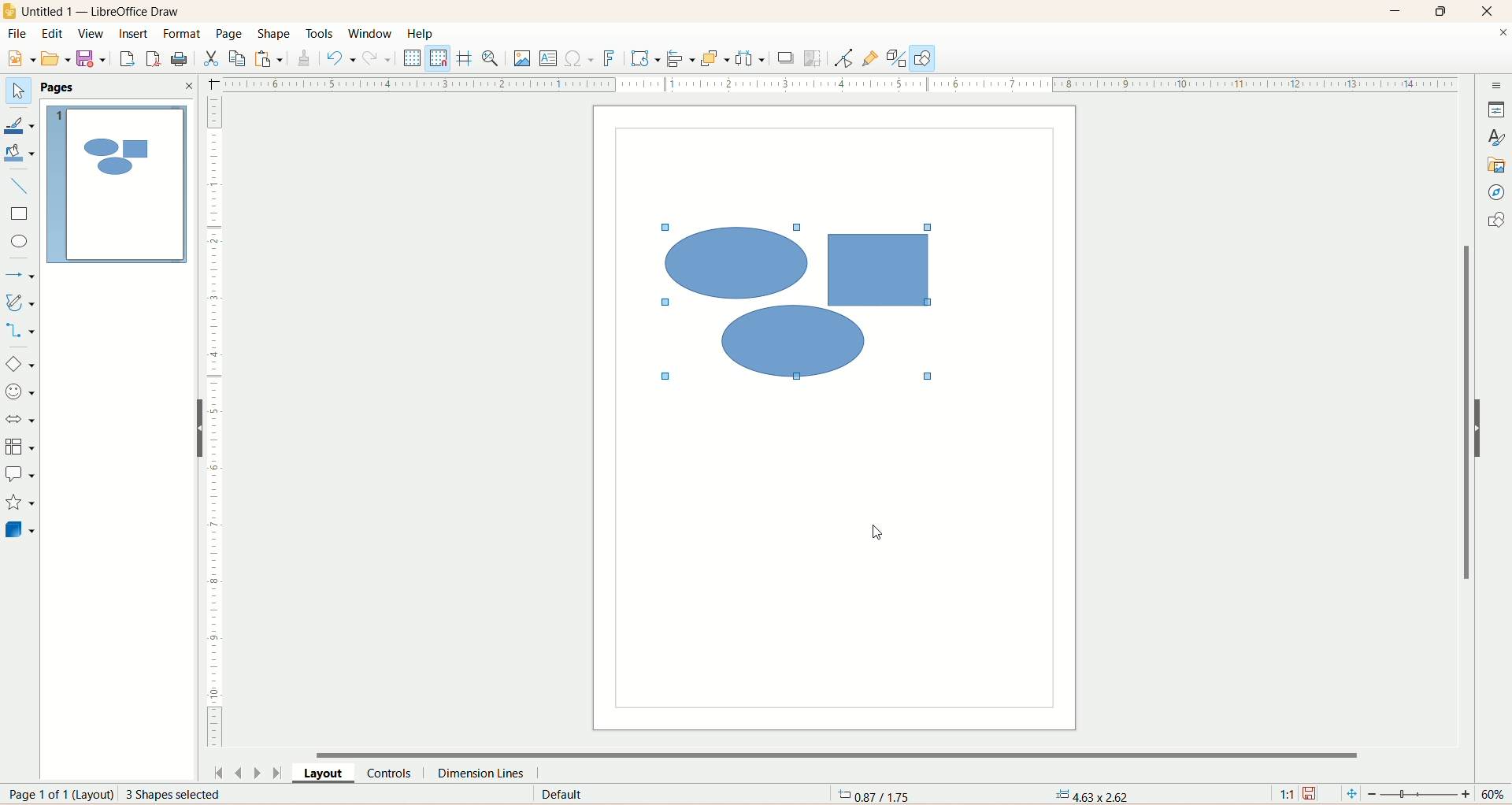 The height and width of the screenshot is (805, 1512). What do you see at coordinates (1498, 165) in the screenshot?
I see `gallery` at bounding box center [1498, 165].